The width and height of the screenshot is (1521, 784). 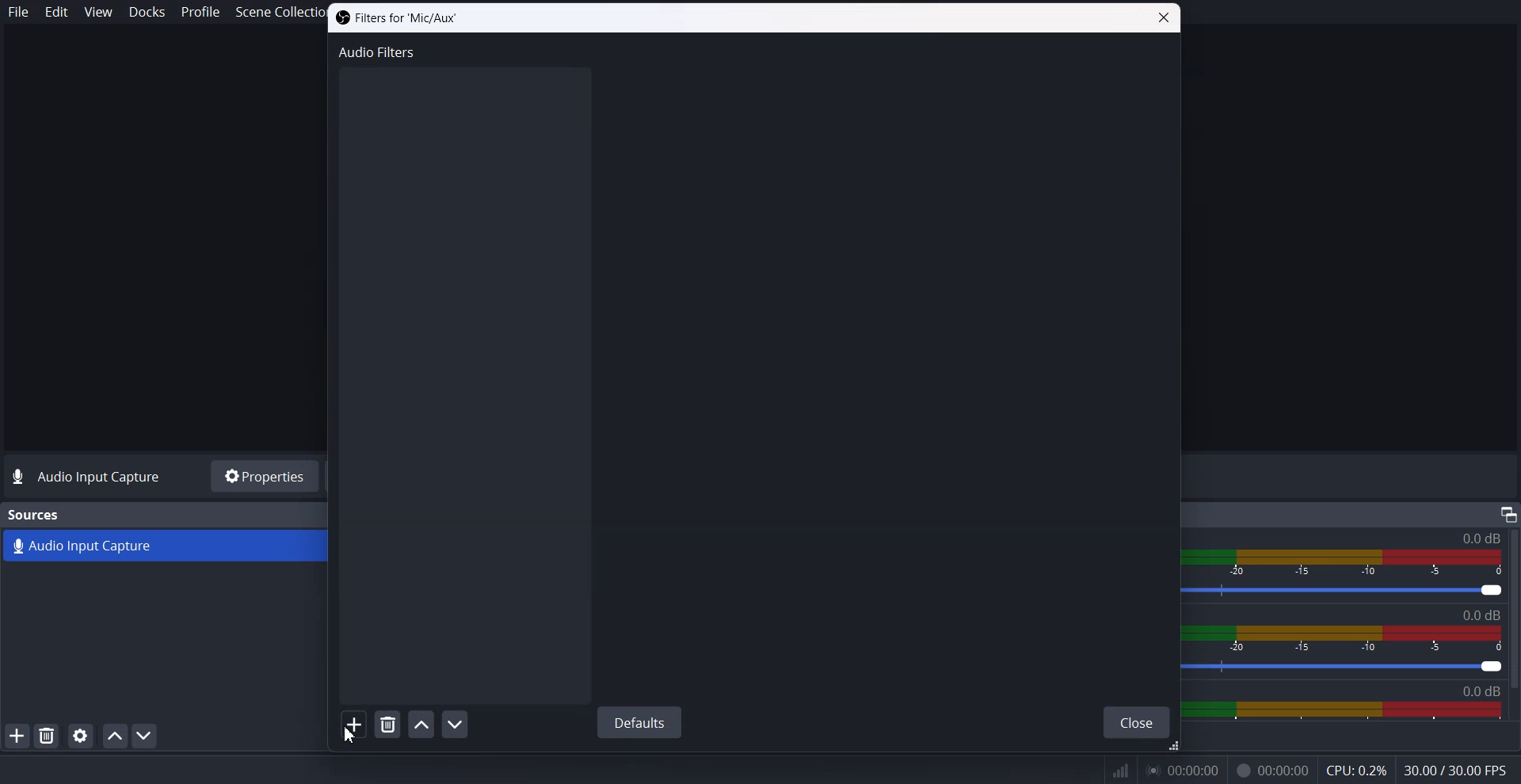 I want to click on , so click(x=1508, y=513).